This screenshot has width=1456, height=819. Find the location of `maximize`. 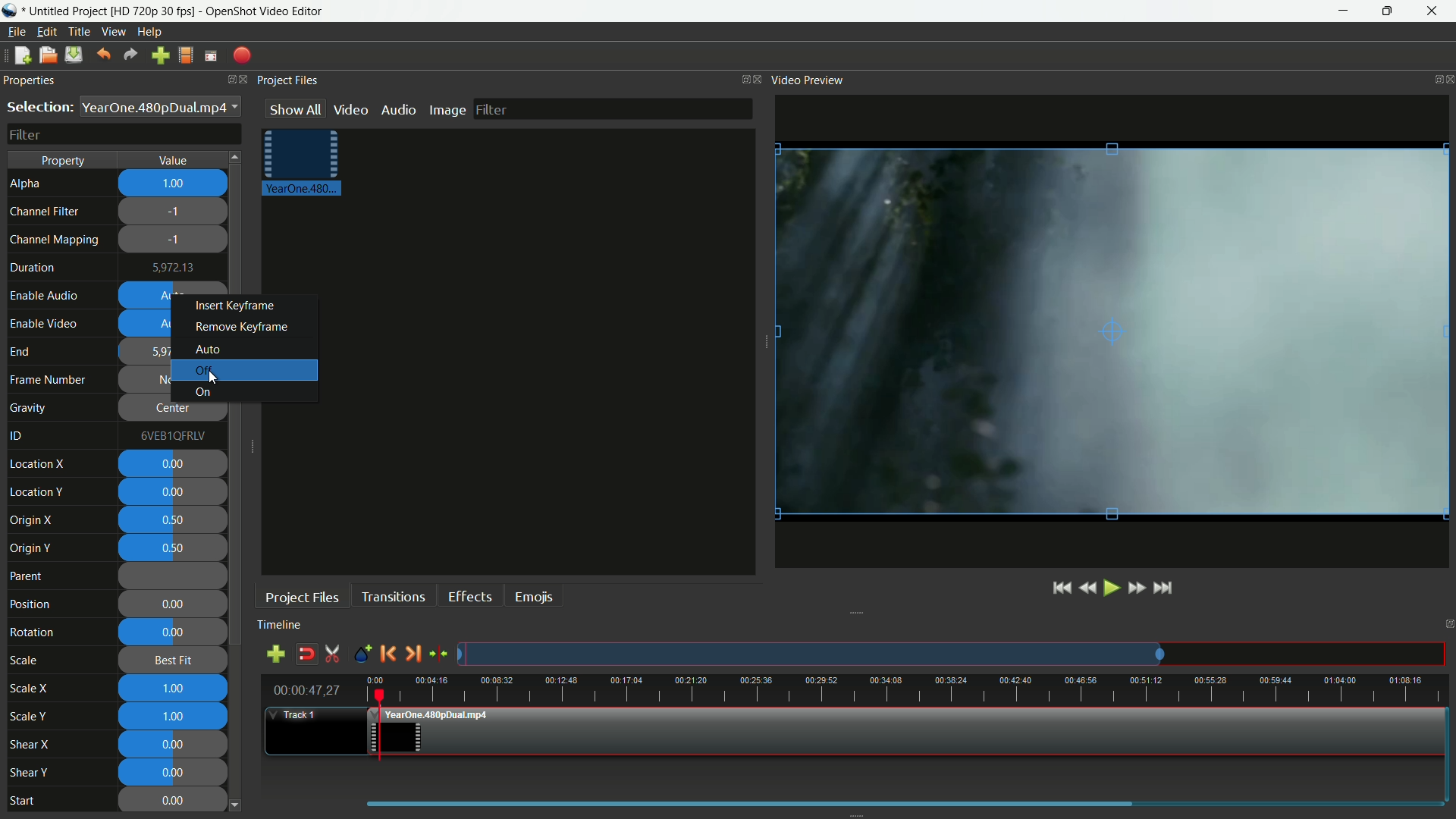

maximize is located at coordinates (1385, 11).